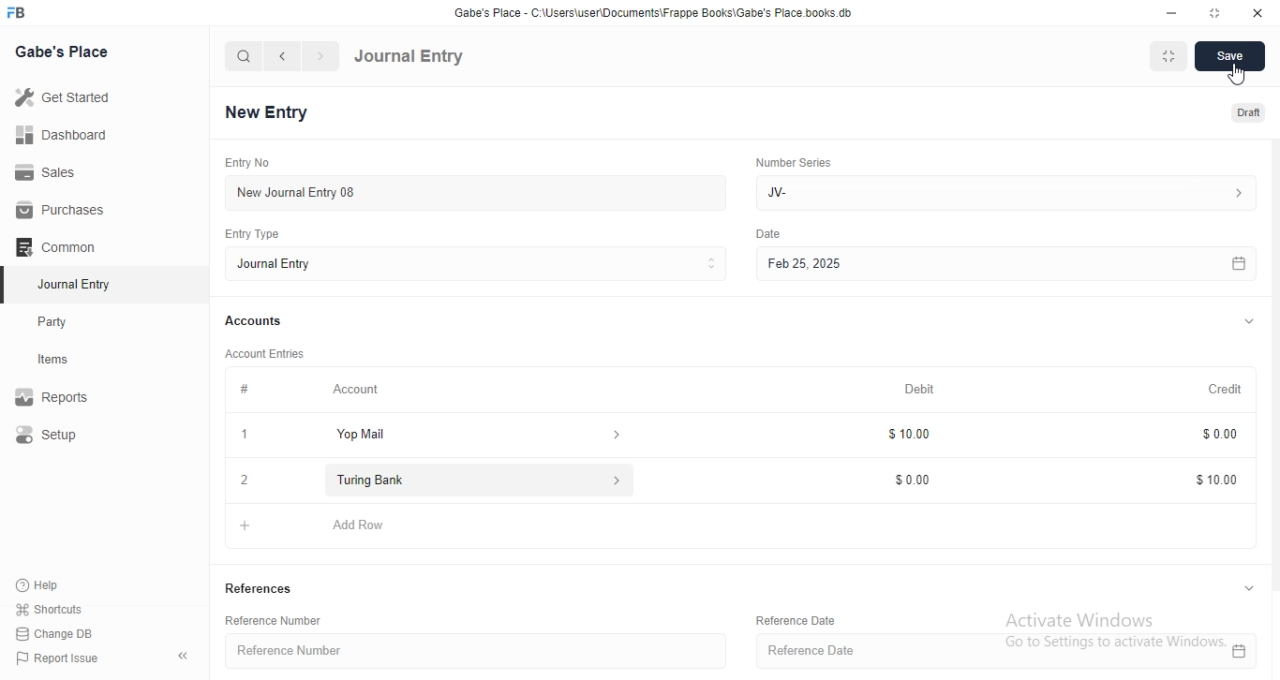  What do you see at coordinates (18, 13) in the screenshot?
I see `FB` at bounding box center [18, 13].